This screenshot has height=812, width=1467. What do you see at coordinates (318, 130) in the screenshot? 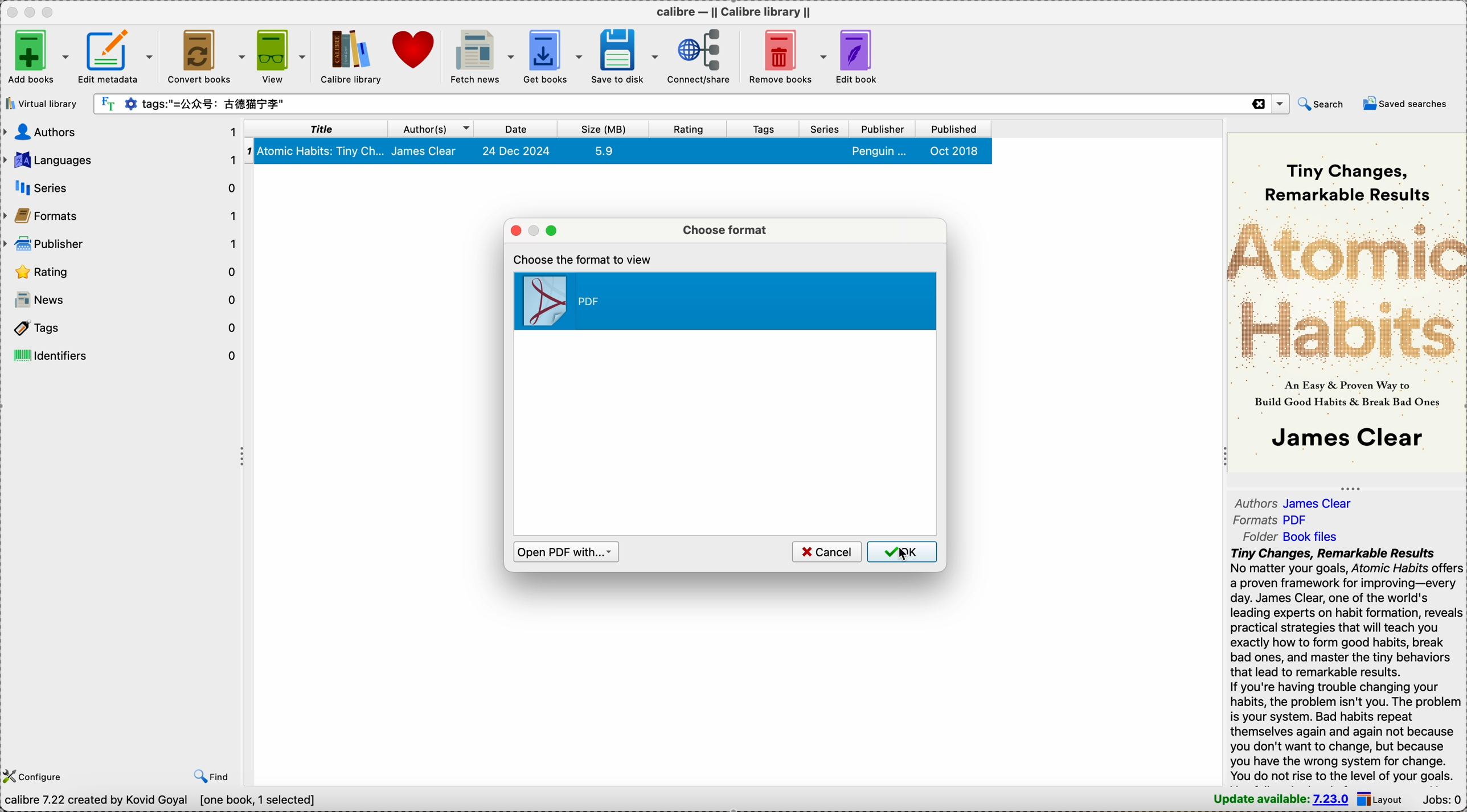
I see `title` at bounding box center [318, 130].